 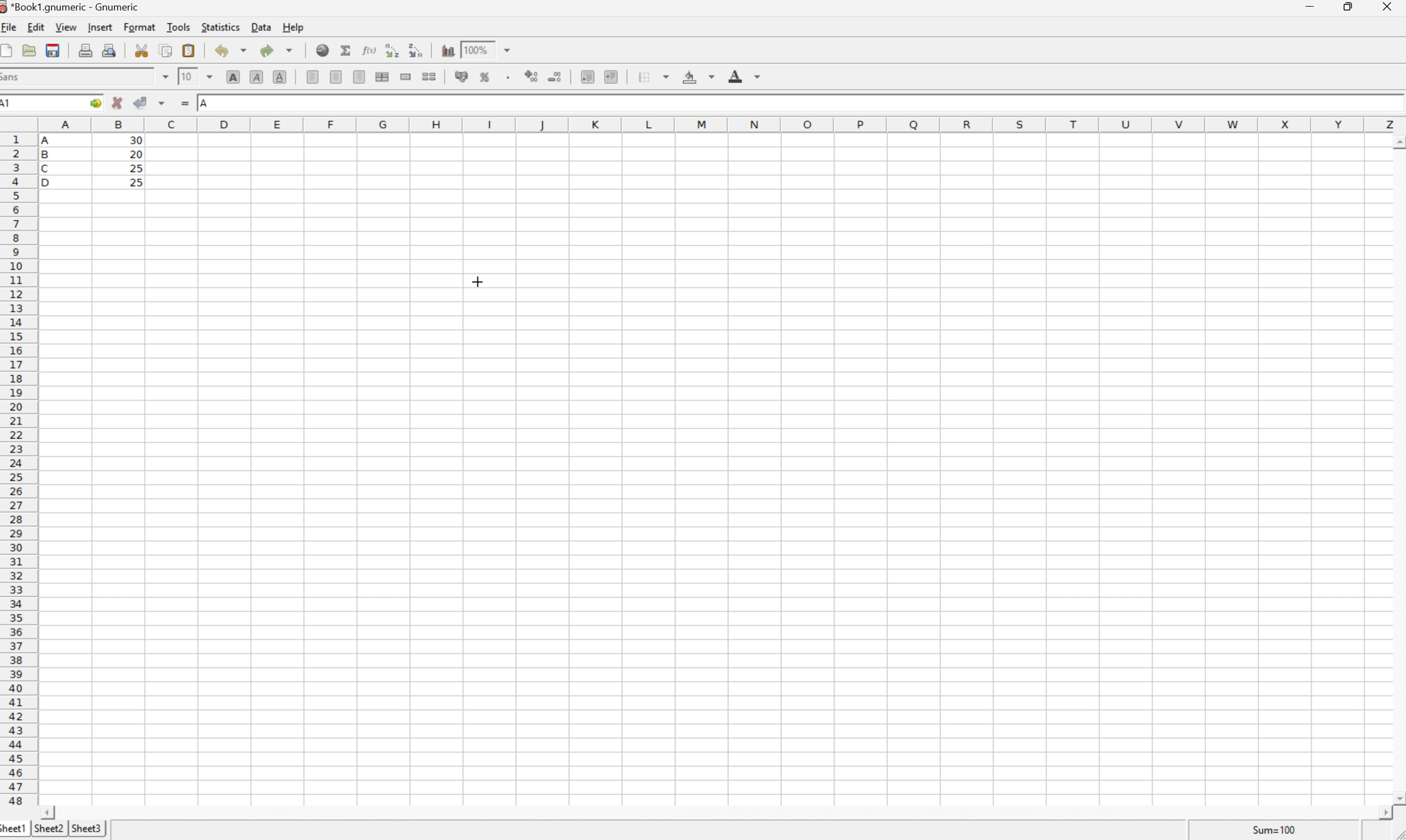 I want to click on Merge a range of cells, so click(x=406, y=78).